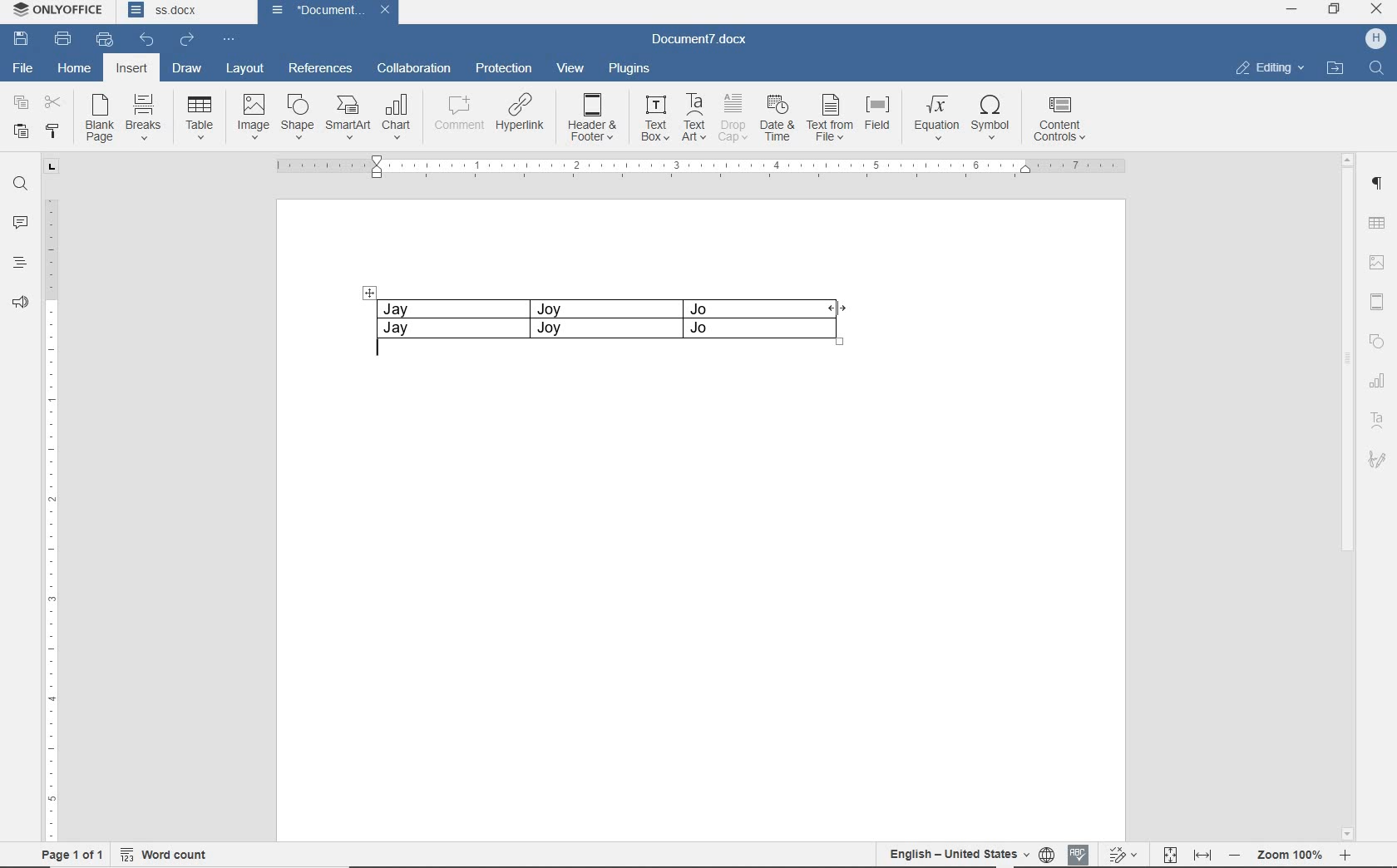 The image size is (1397, 868). Describe the element at coordinates (49, 168) in the screenshot. I see `TAB STOP` at that location.